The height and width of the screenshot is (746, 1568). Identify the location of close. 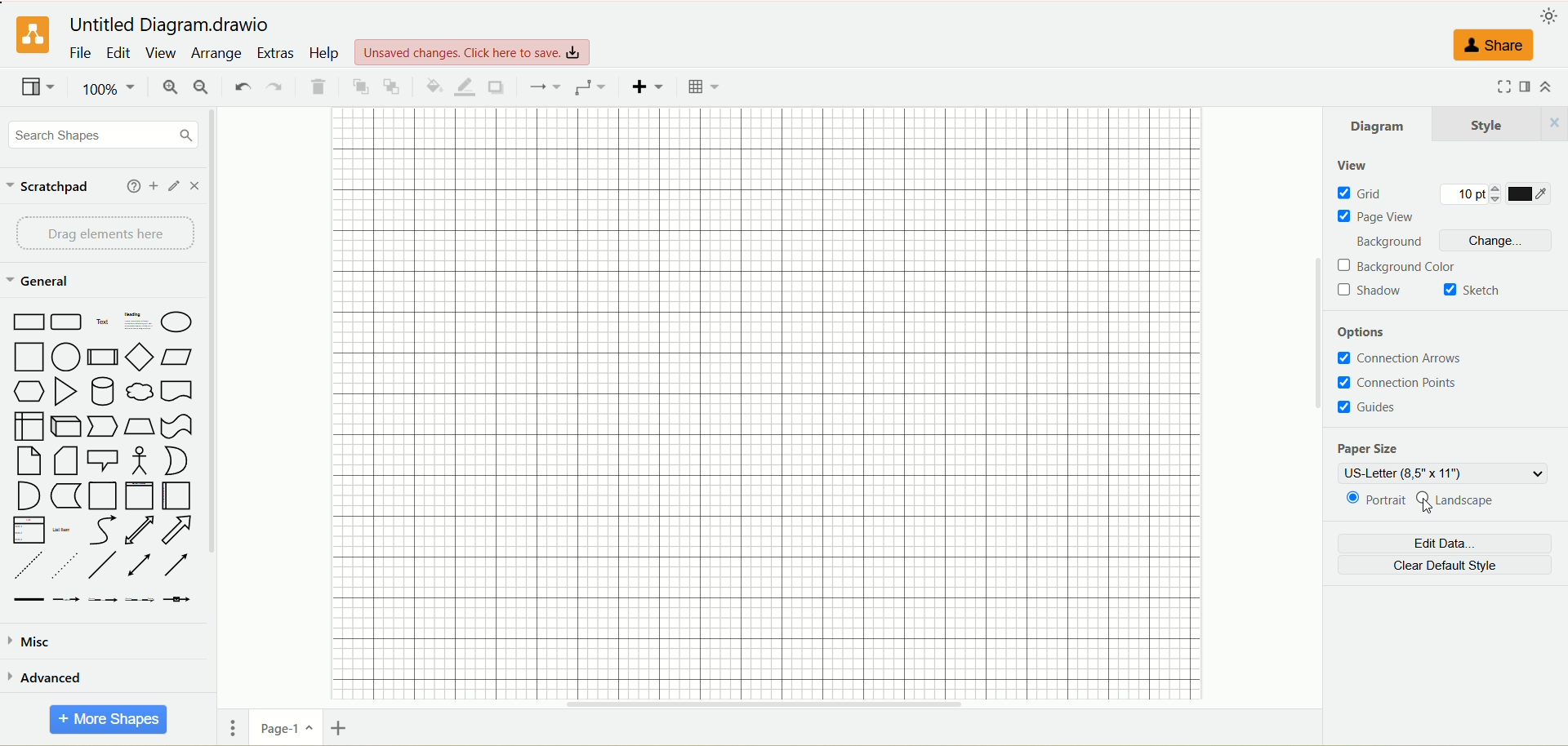
(194, 187).